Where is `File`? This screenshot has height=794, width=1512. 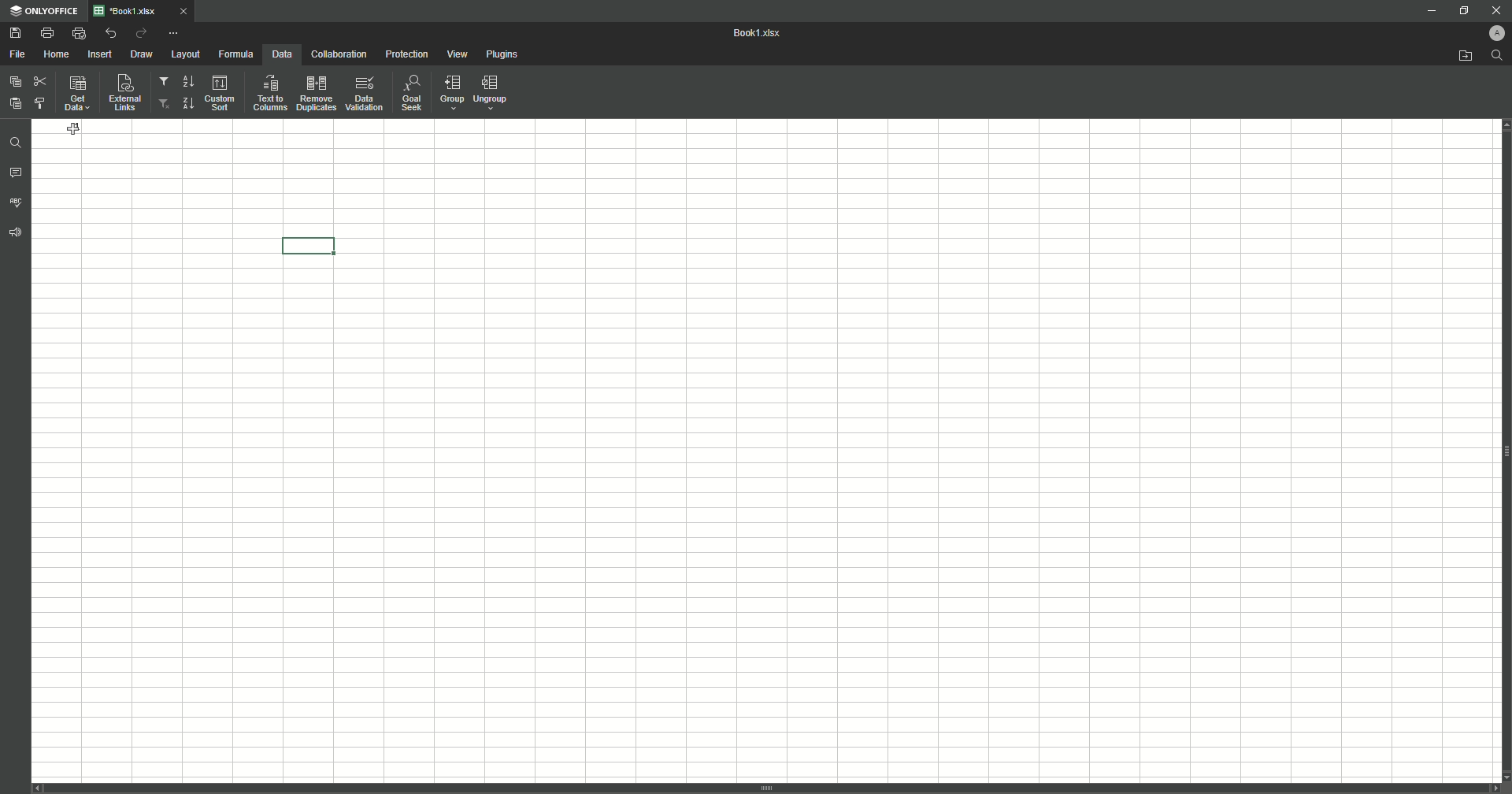
File is located at coordinates (18, 54).